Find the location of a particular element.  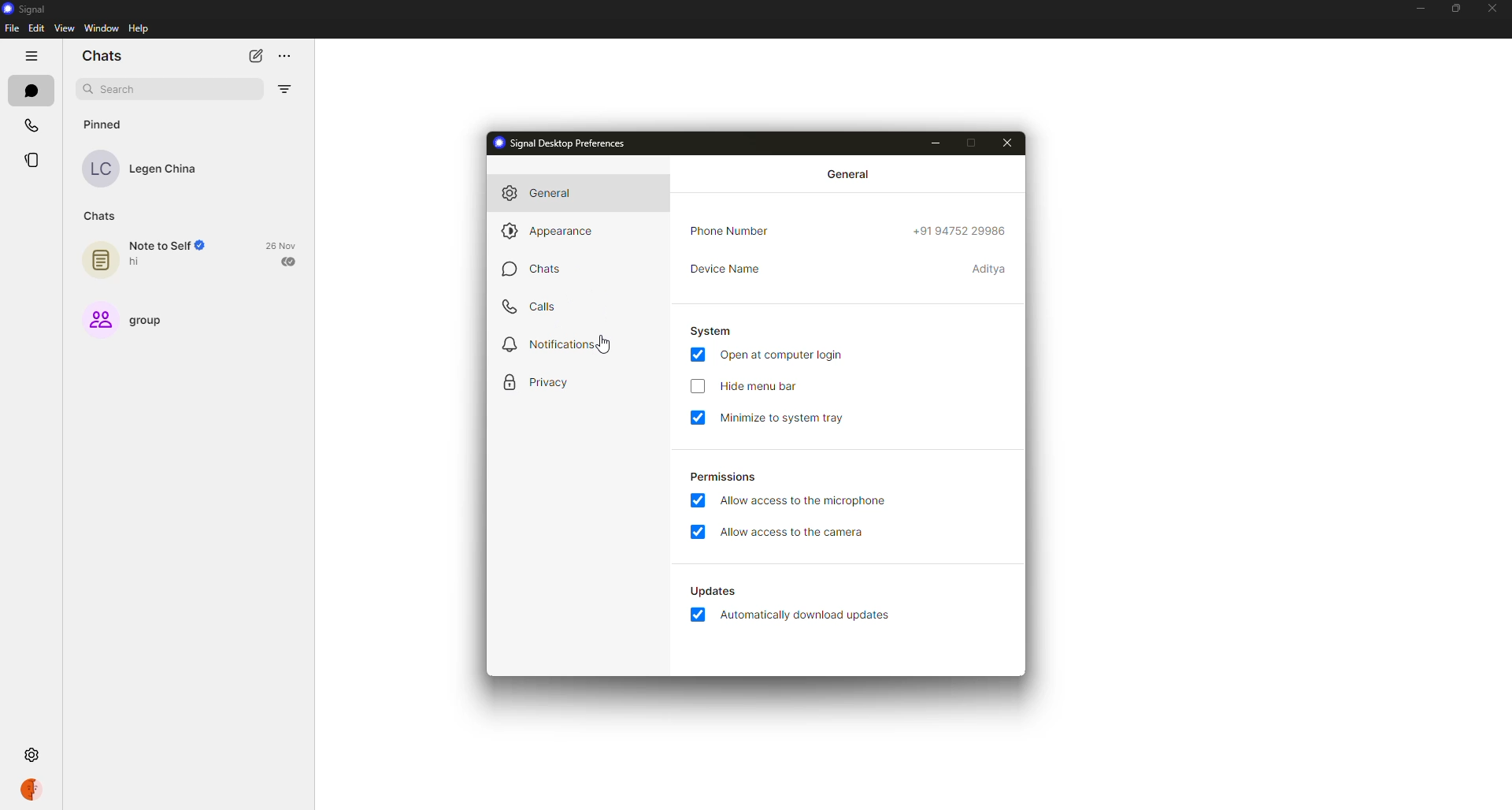

phone number is located at coordinates (738, 231).